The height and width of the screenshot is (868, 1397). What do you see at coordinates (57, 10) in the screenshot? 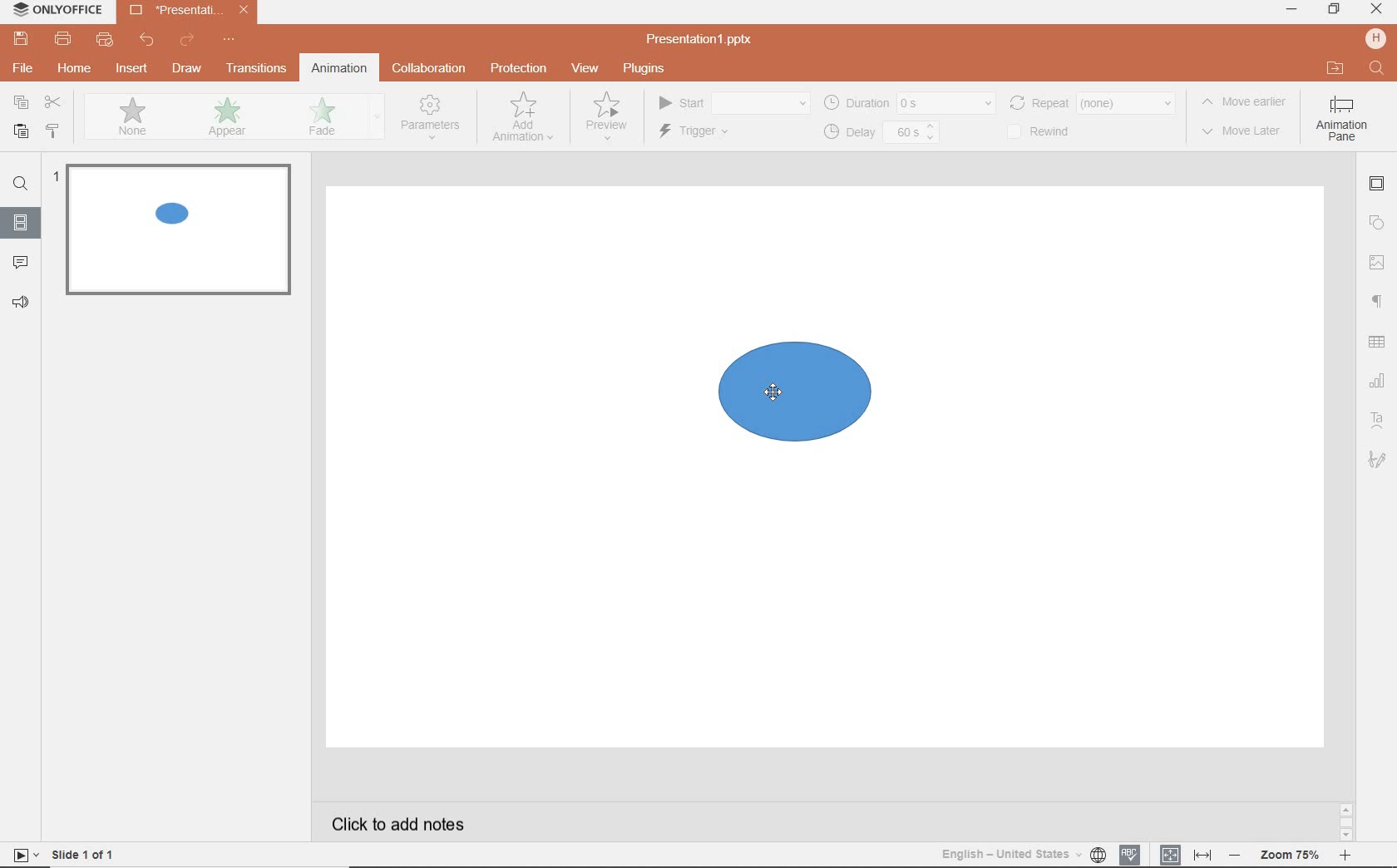
I see `system name` at bounding box center [57, 10].